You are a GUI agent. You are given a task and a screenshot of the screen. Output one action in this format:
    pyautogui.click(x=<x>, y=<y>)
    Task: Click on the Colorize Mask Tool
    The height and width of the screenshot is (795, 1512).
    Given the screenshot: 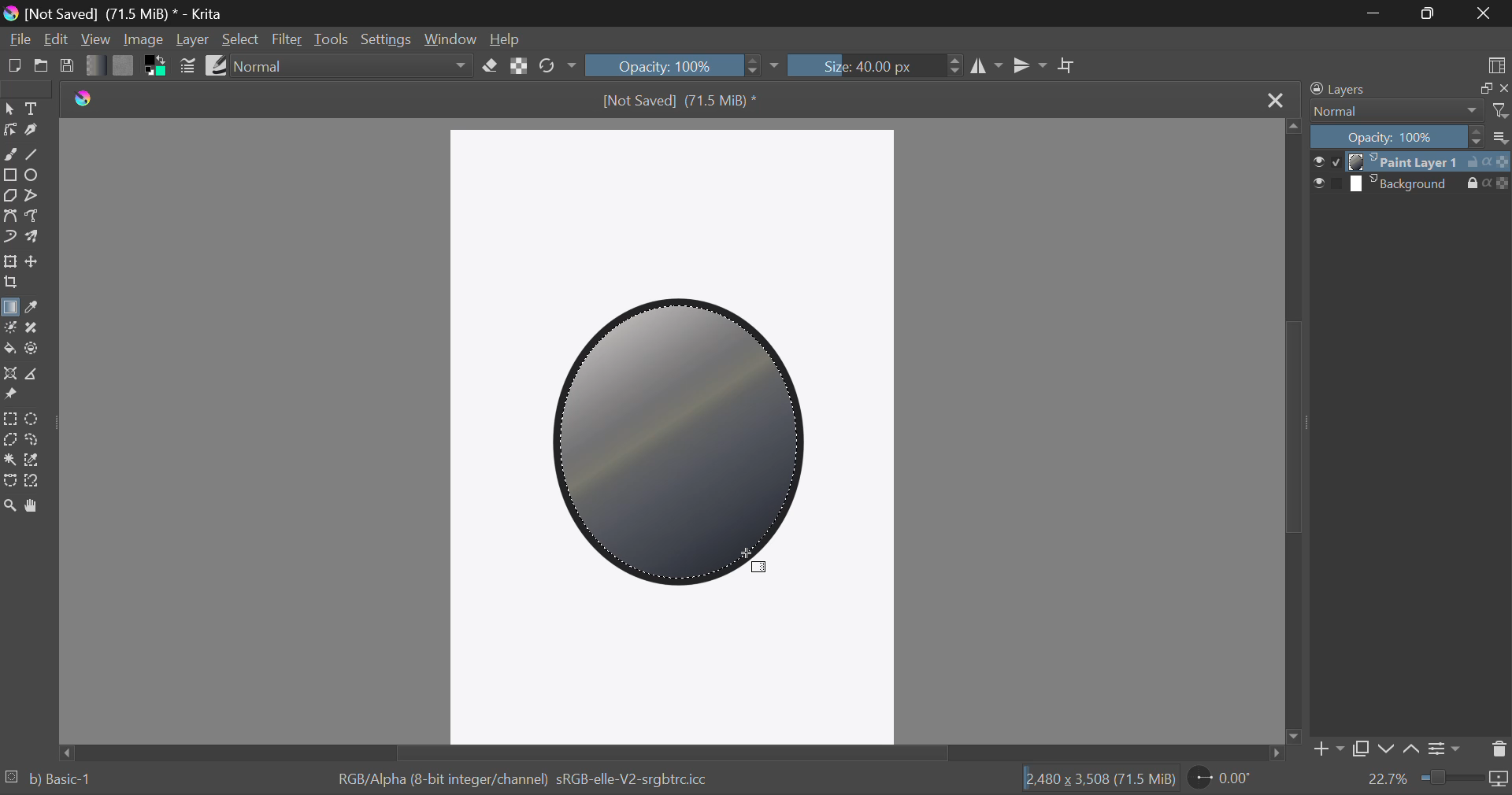 What is the action you would take?
    pyautogui.click(x=10, y=331)
    